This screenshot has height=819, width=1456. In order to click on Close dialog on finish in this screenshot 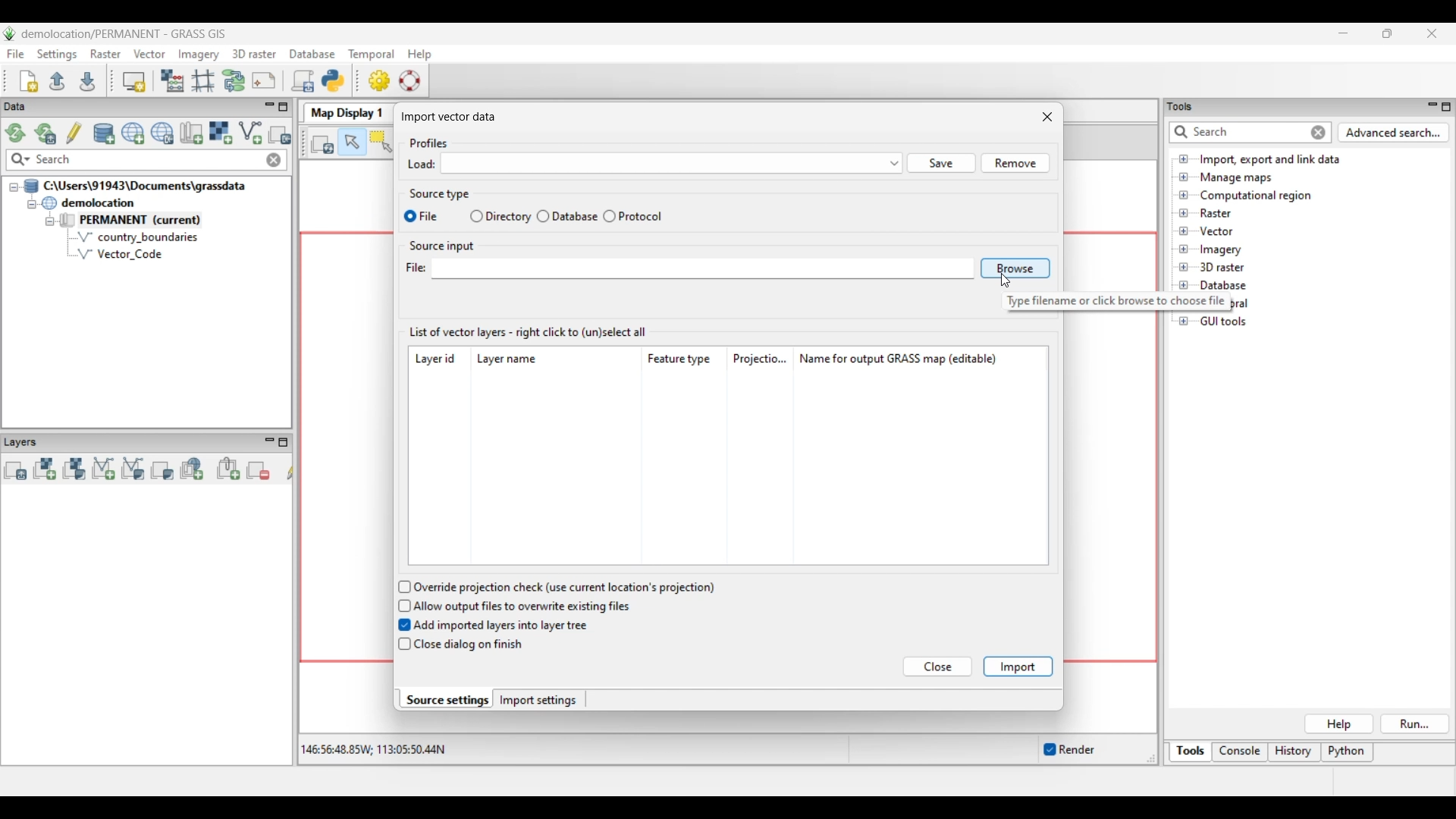, I will do `click(469, 645)`.